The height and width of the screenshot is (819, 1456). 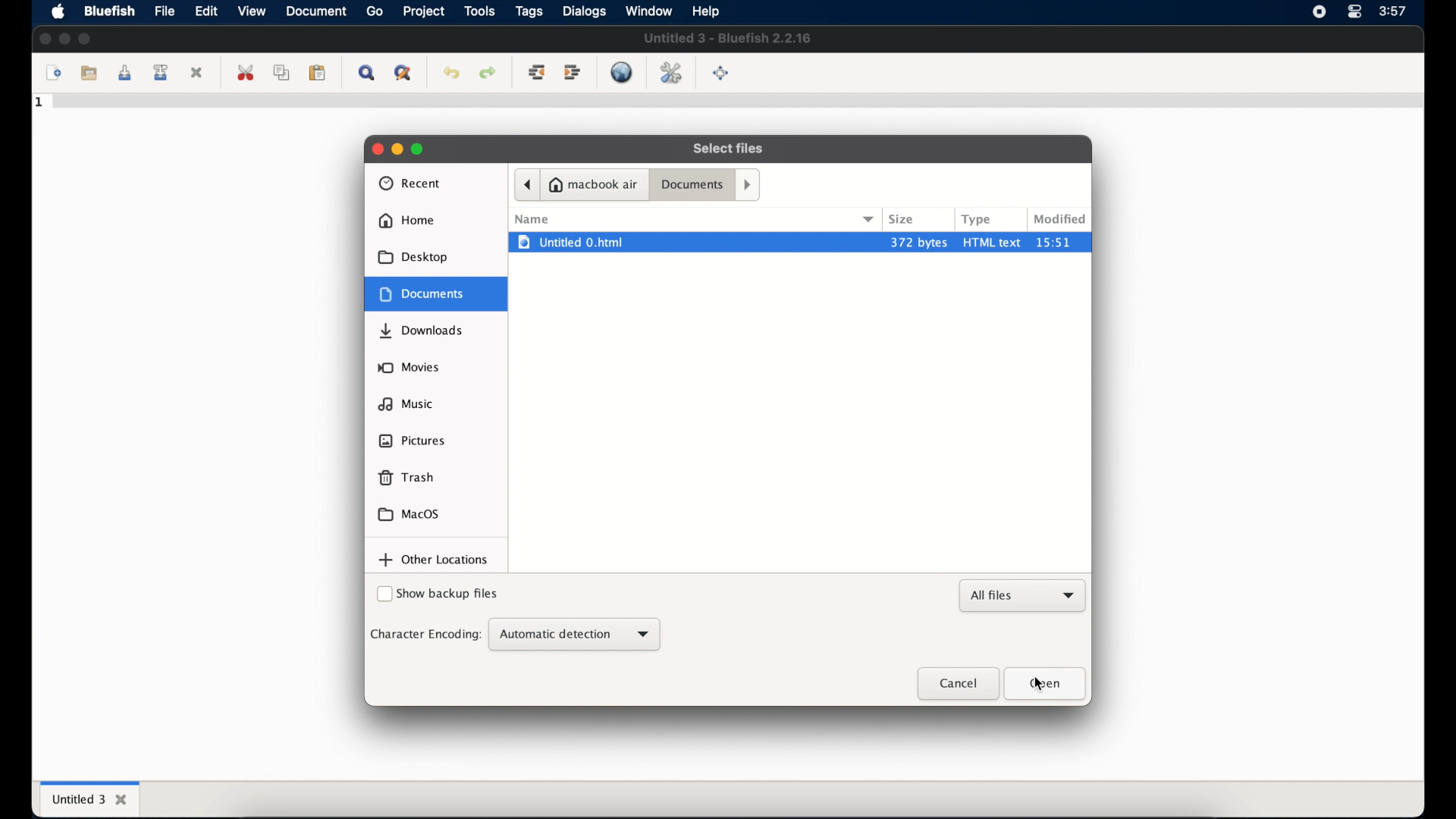 What do you see at coordinates (414, 257) in the screenshot?
I see `desktop` at bounding box center [414, 257].